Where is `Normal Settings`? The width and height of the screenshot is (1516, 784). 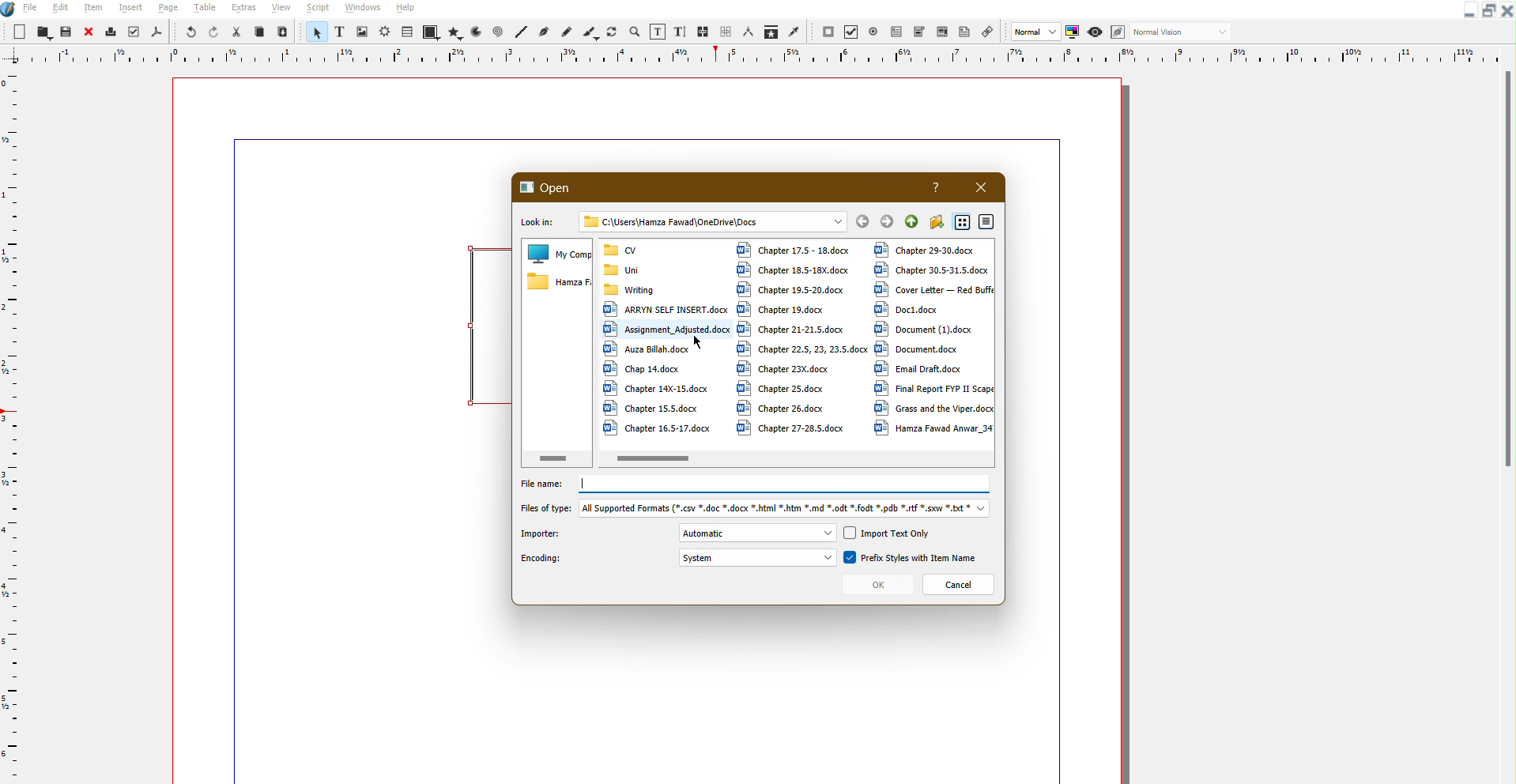 Normal Settings is located at coordinates (1046, 32).